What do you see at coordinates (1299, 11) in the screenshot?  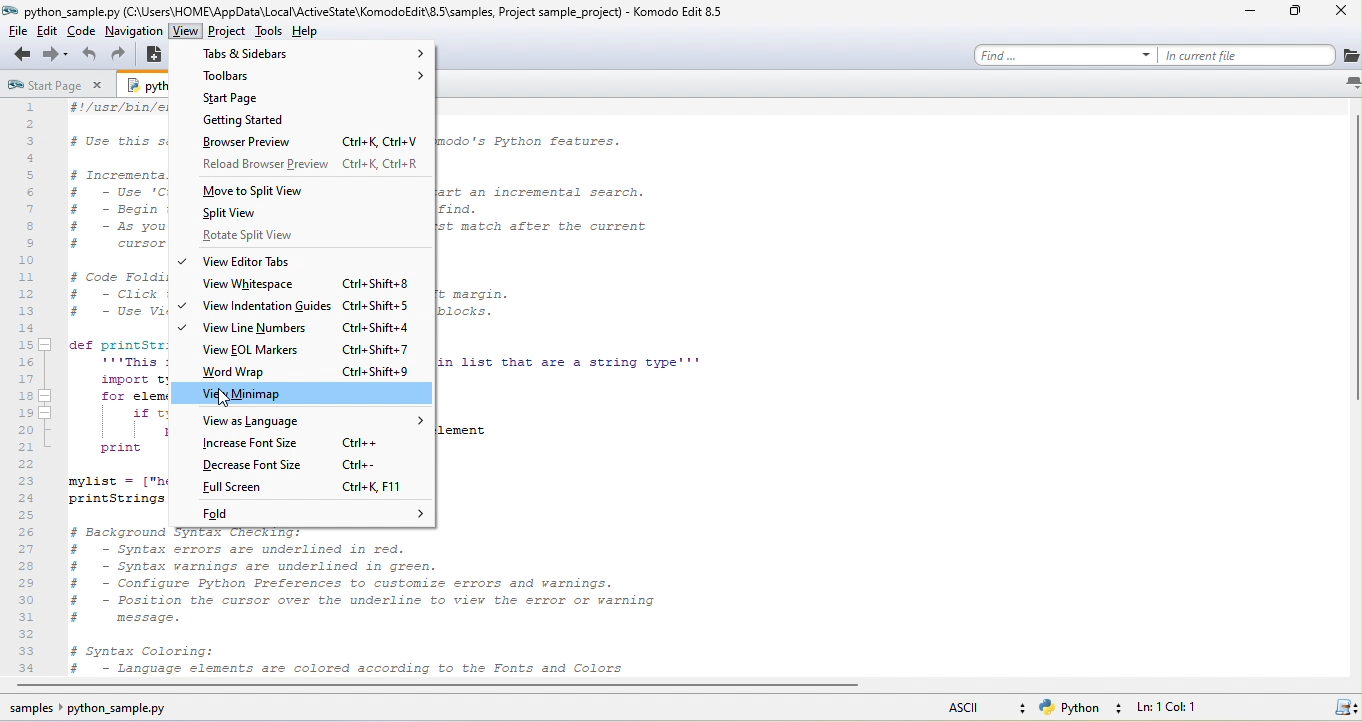 I see `maximize` at bounding box center [1299, 11].